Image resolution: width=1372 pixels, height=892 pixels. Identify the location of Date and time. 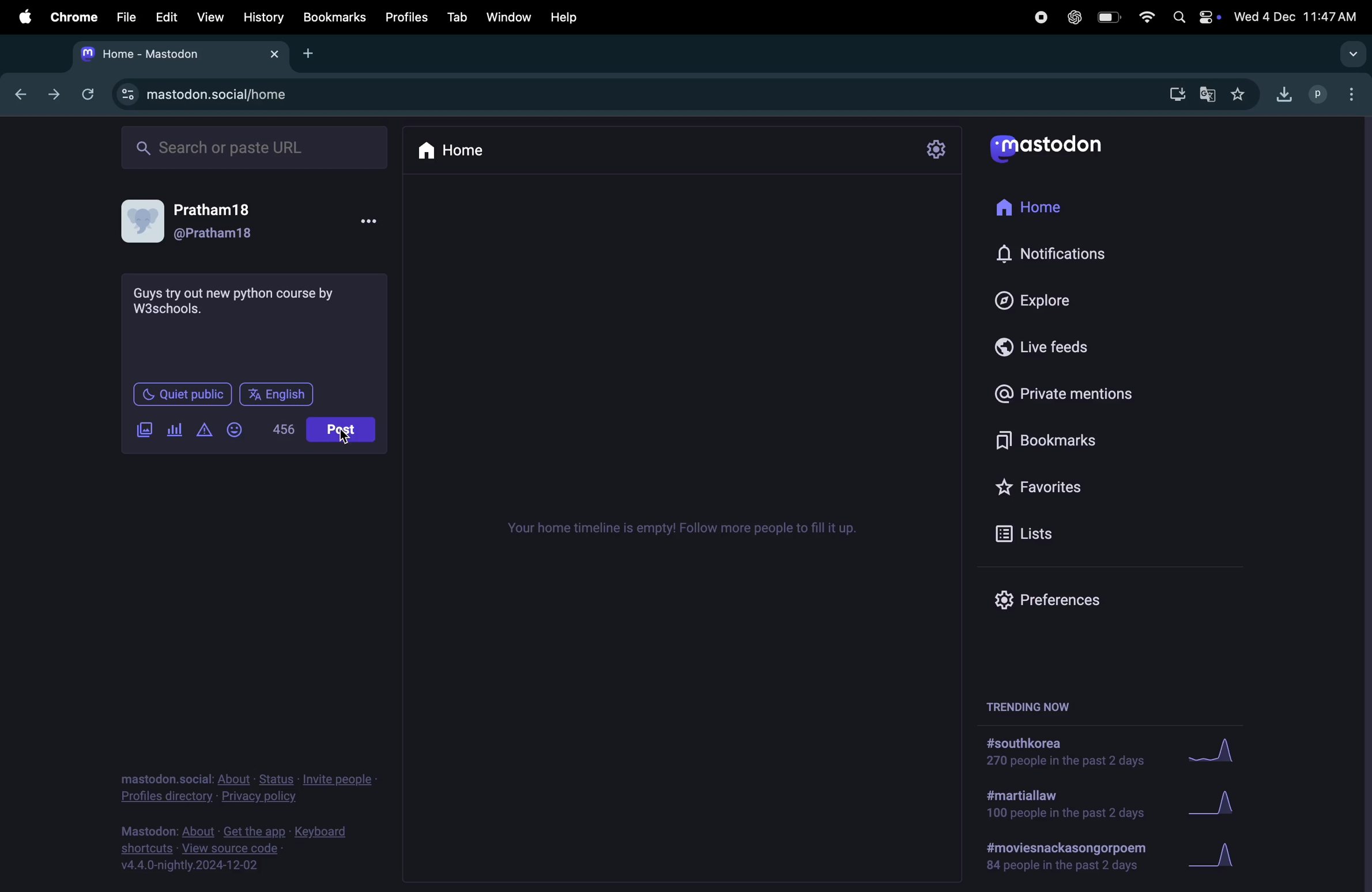
(1297, 14).